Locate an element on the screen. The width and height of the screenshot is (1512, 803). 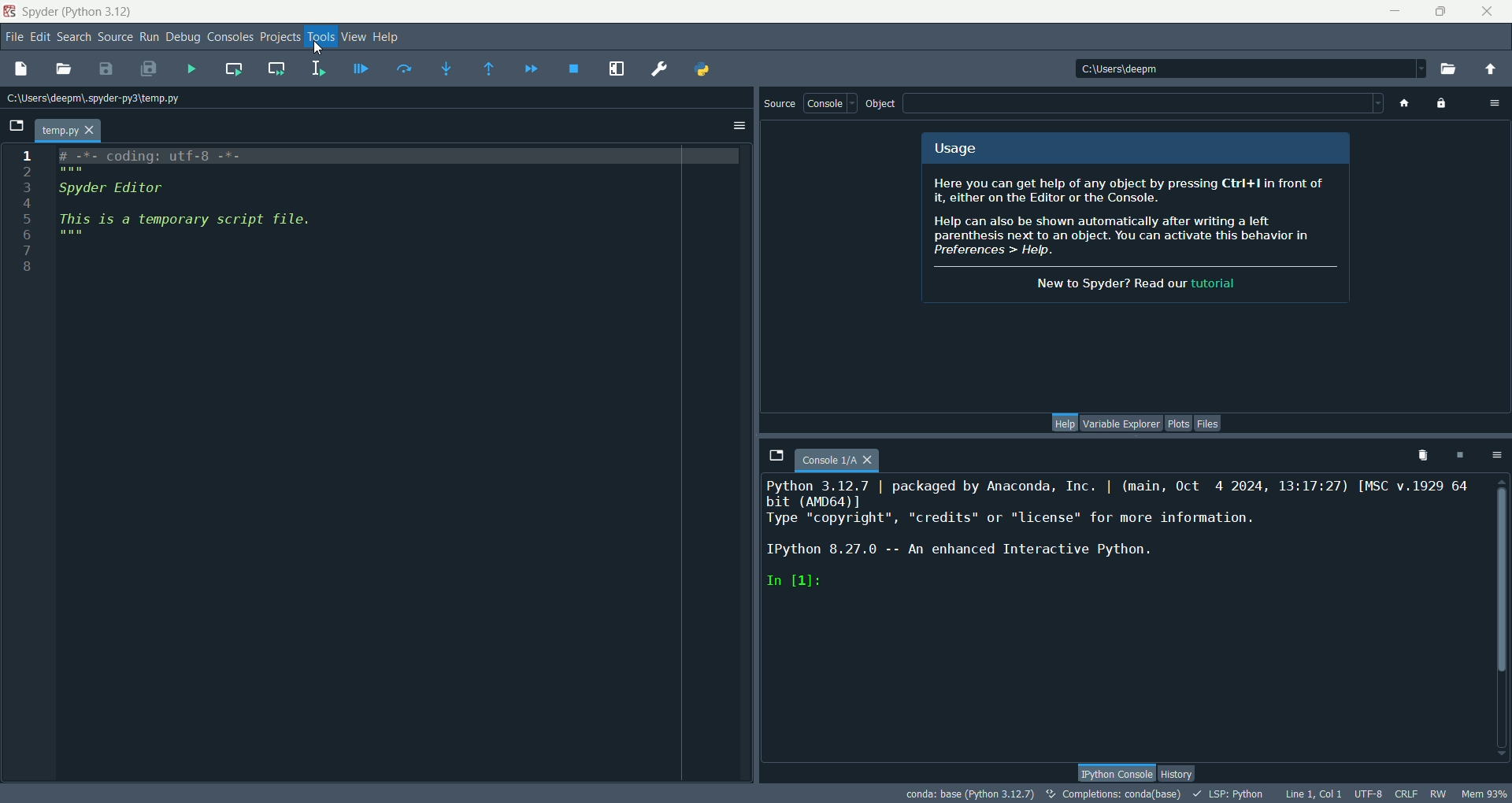
run current cell is located at coordinates (233, 70).